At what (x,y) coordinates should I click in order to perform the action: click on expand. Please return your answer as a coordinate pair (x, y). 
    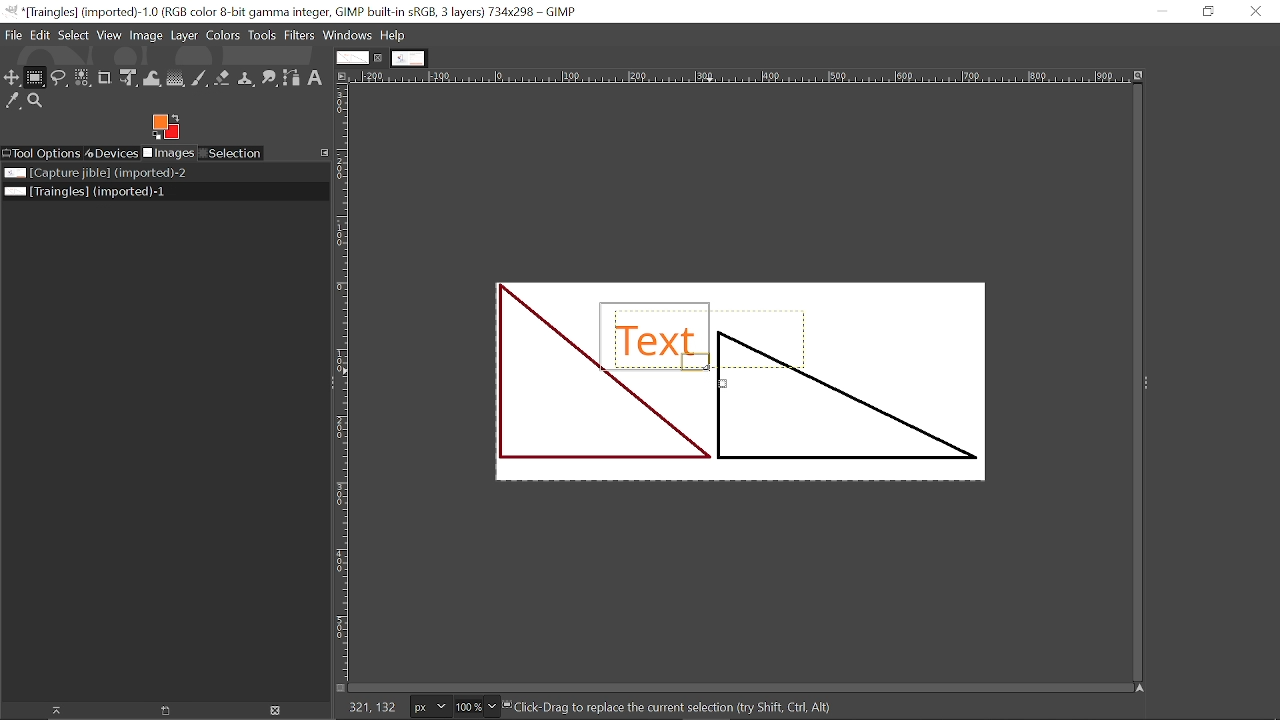
    Looking at the image, I should click on (1145, 380).